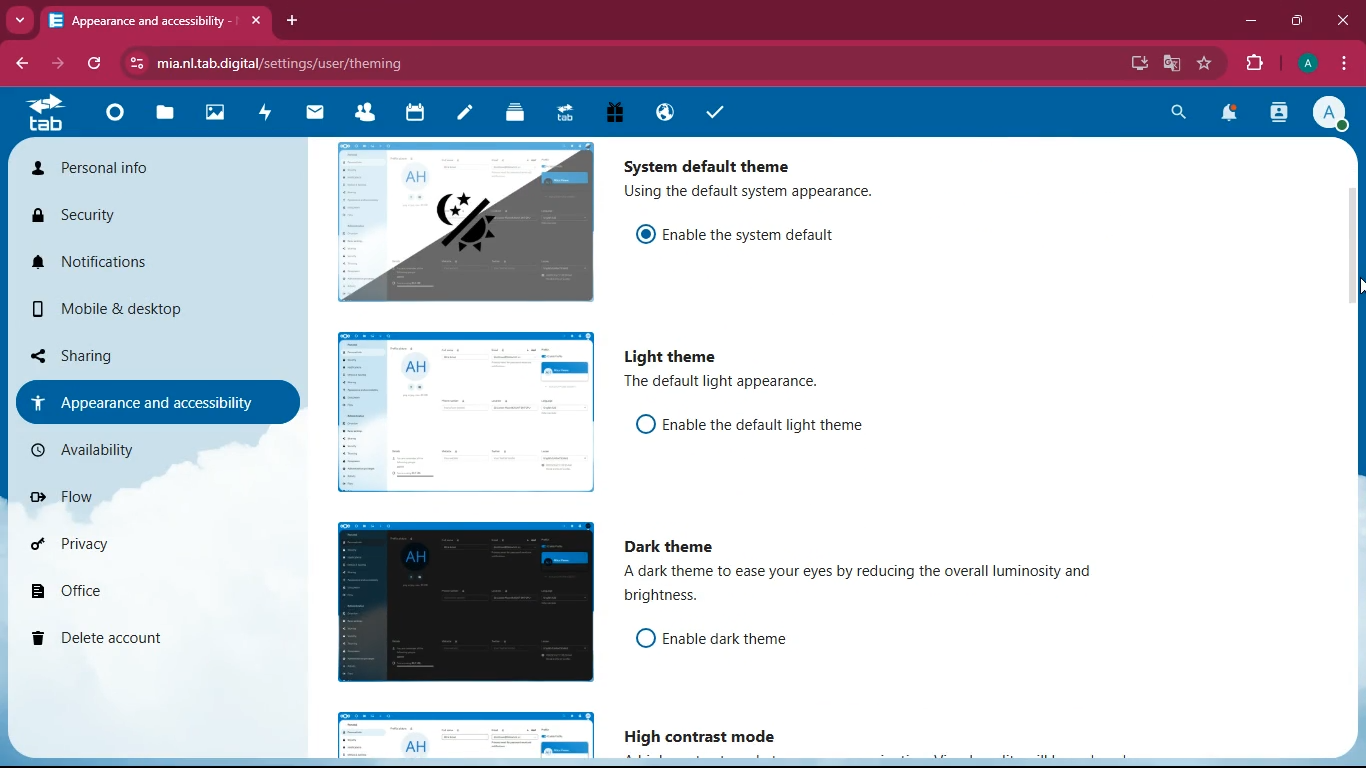  Describe the element at coordinates (463, 414) in the screenshot. I see `image` at that location.